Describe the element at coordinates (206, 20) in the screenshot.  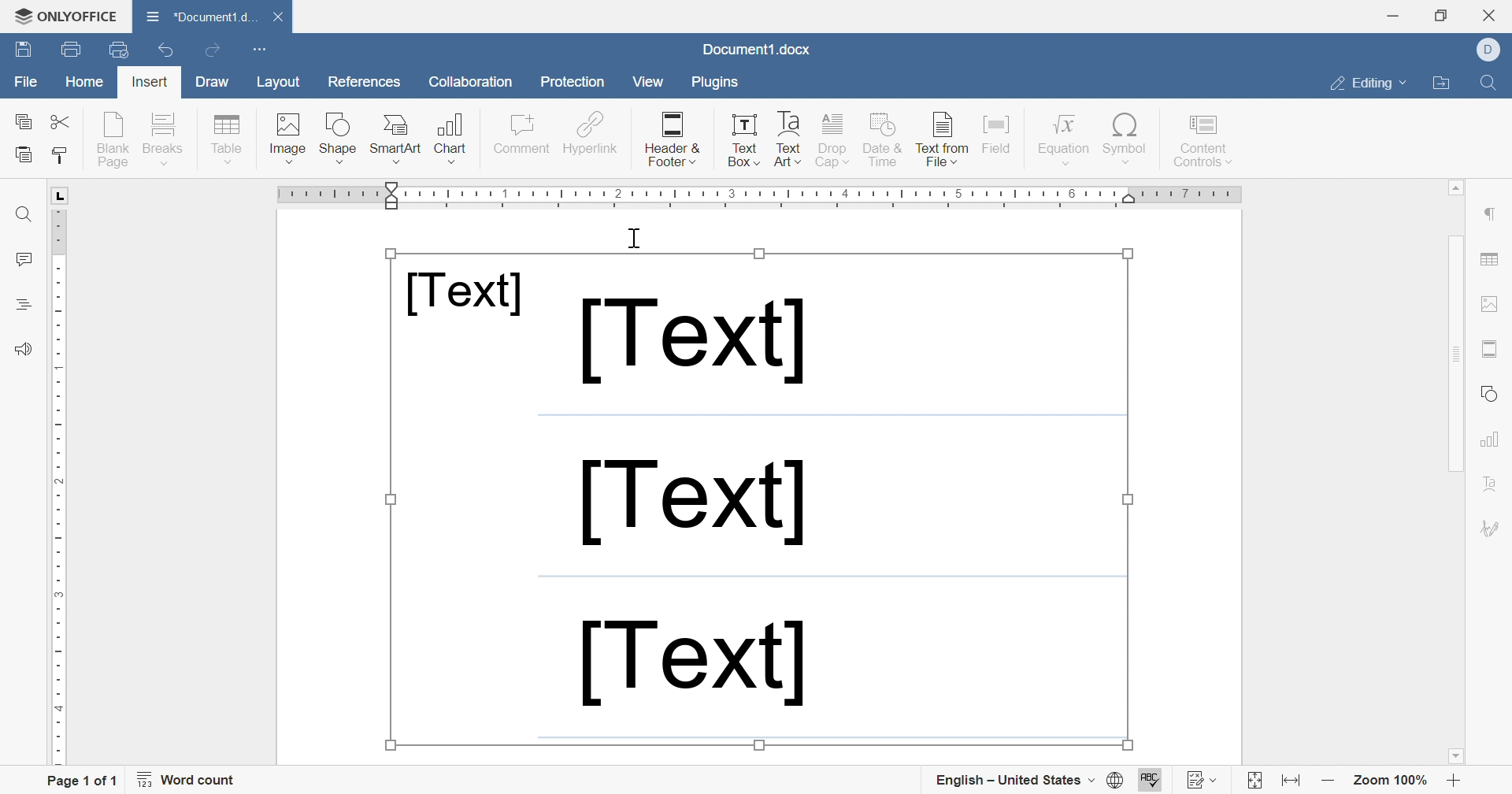
I see `Document1.docx` at that location.